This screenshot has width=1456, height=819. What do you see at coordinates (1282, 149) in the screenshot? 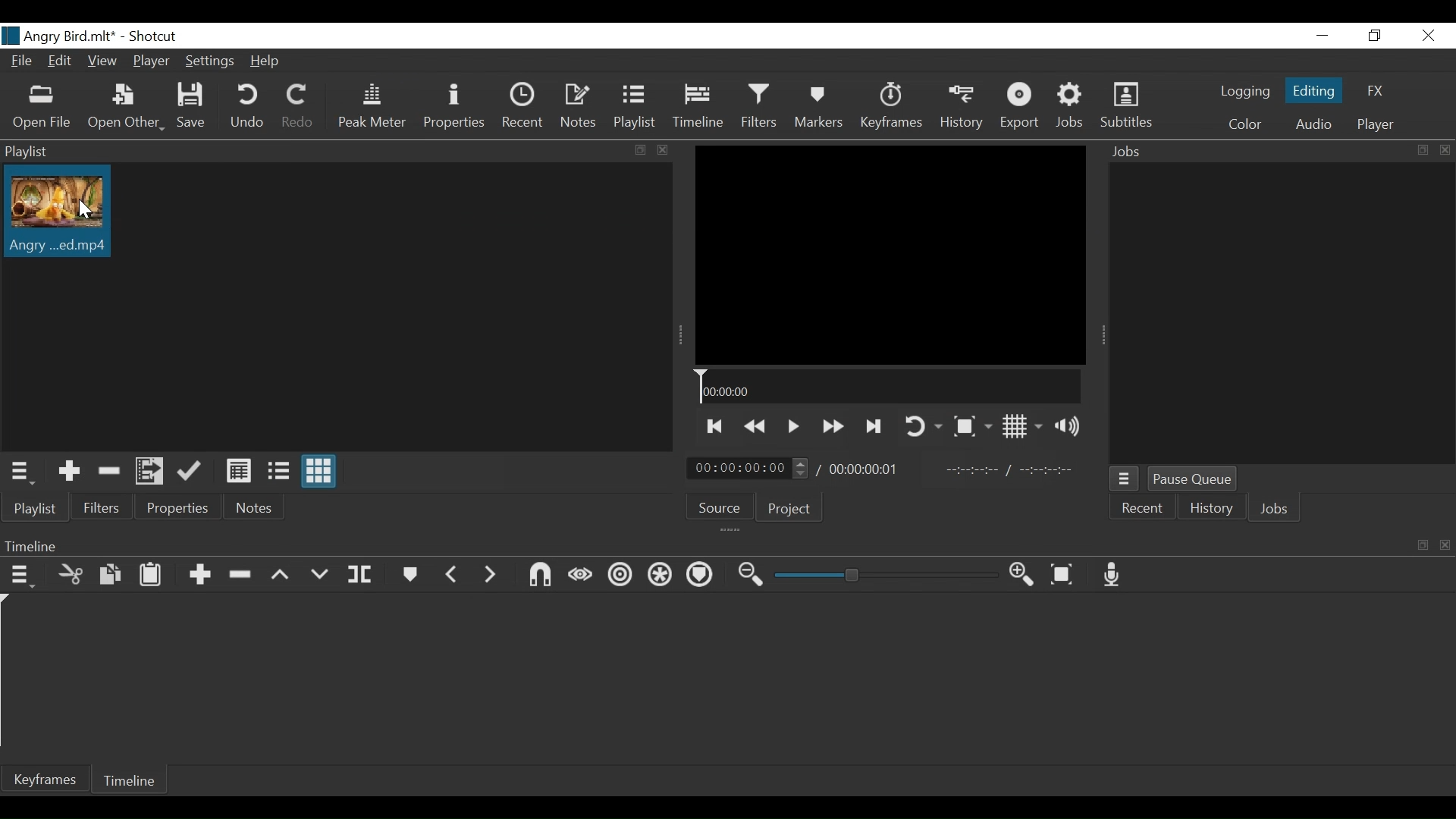
I see `Jobs Panel` at bounding box center [1282, 149].